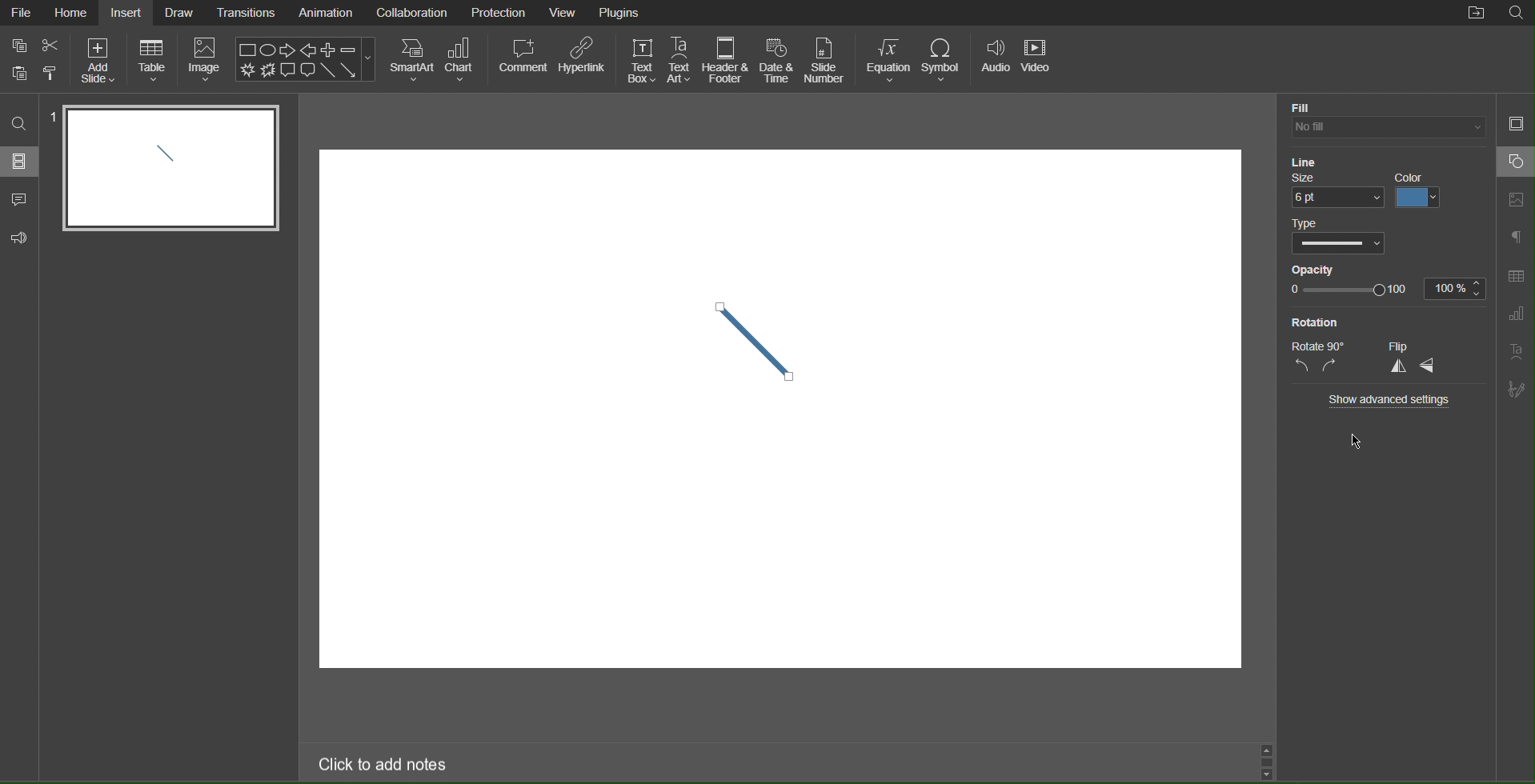 The image size is (1535, 784). Describe the element at coordinates (1367, 442) in the screenshot. I see `Pointer` at that location.